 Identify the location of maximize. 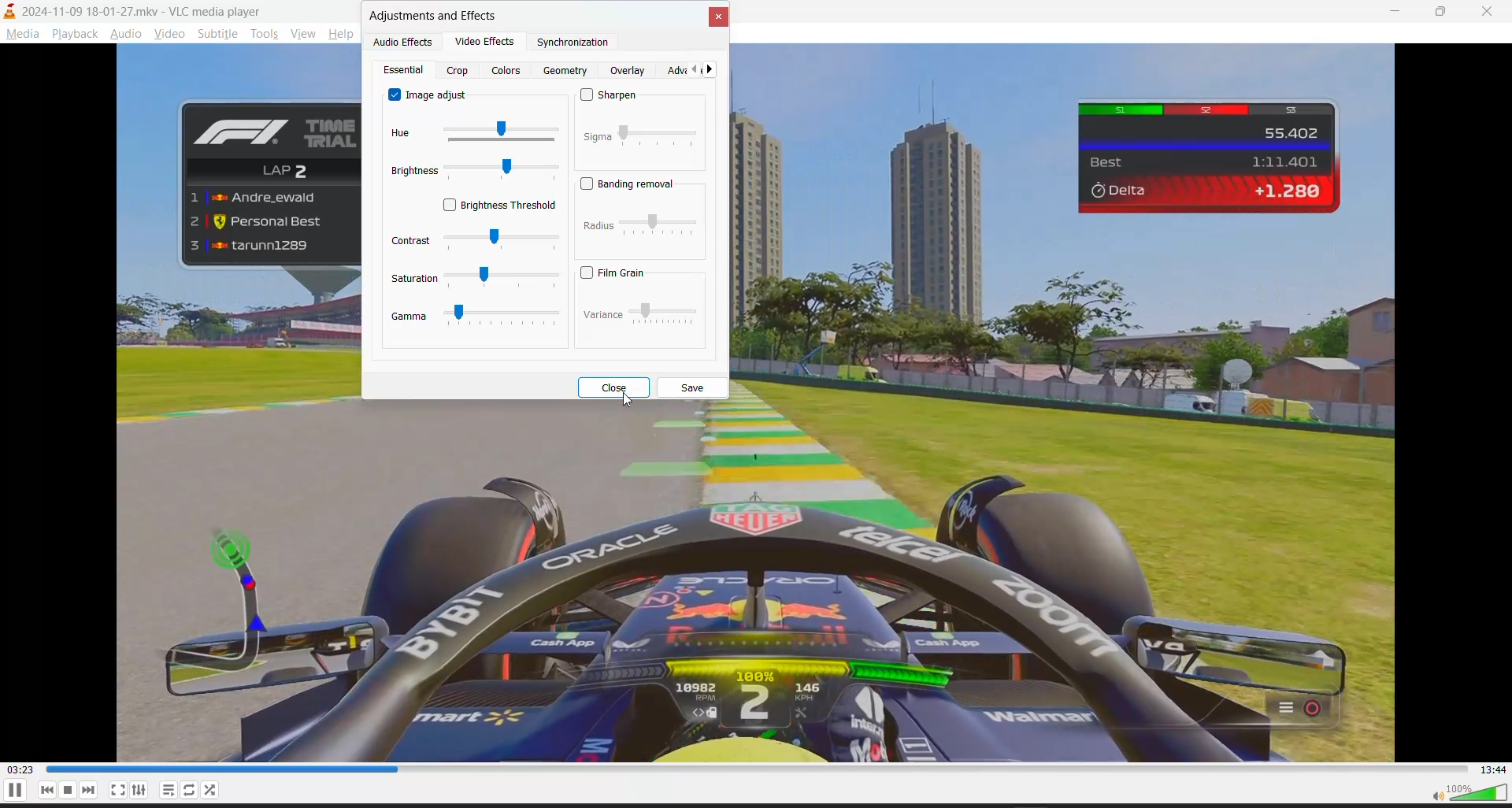
(1440, 13).